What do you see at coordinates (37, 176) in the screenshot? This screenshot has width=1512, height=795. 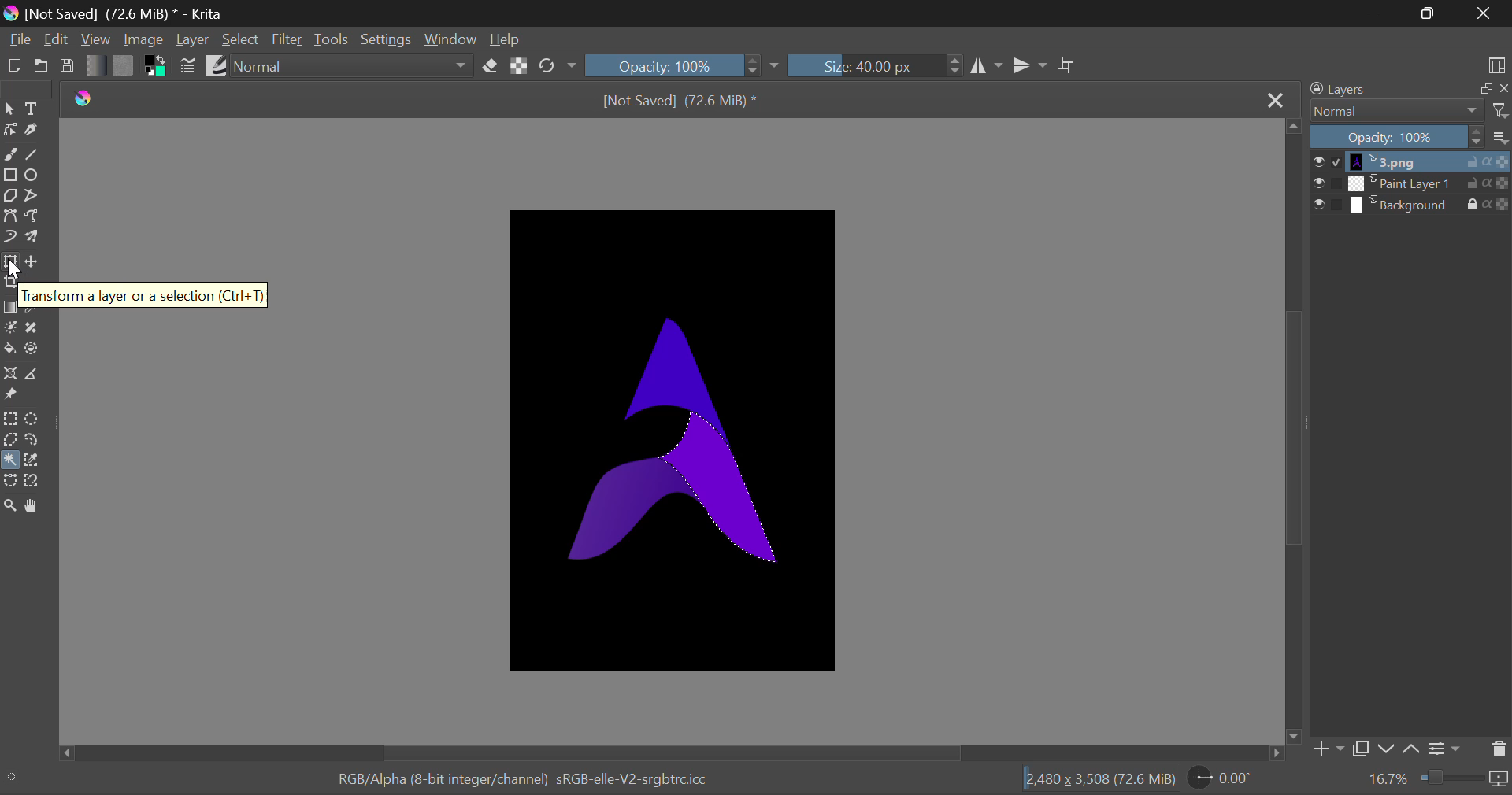 I see `Elipses` at bounding box center [37, 176].